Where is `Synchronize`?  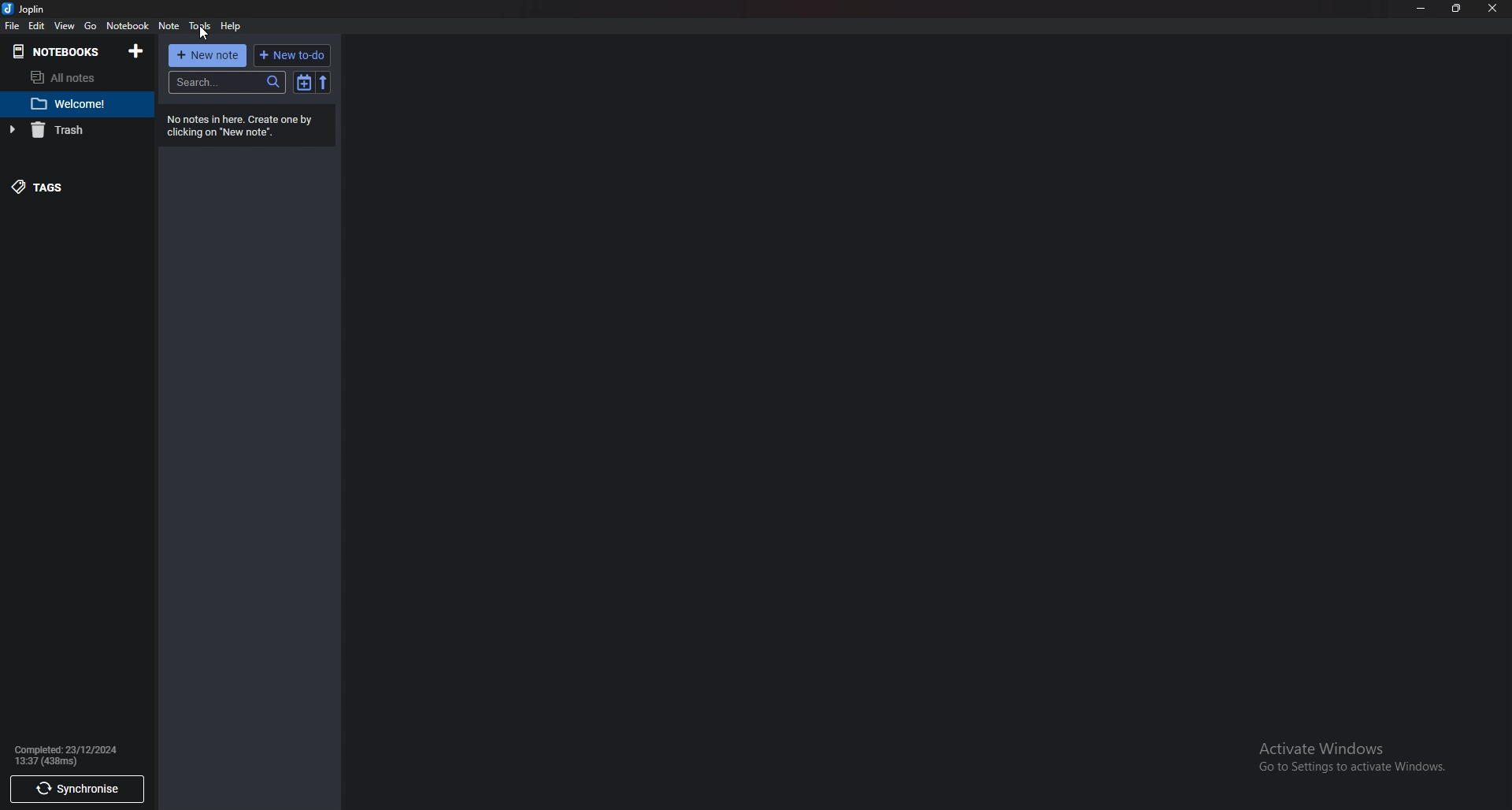
Synchronize is located at coordinates (76, 790).